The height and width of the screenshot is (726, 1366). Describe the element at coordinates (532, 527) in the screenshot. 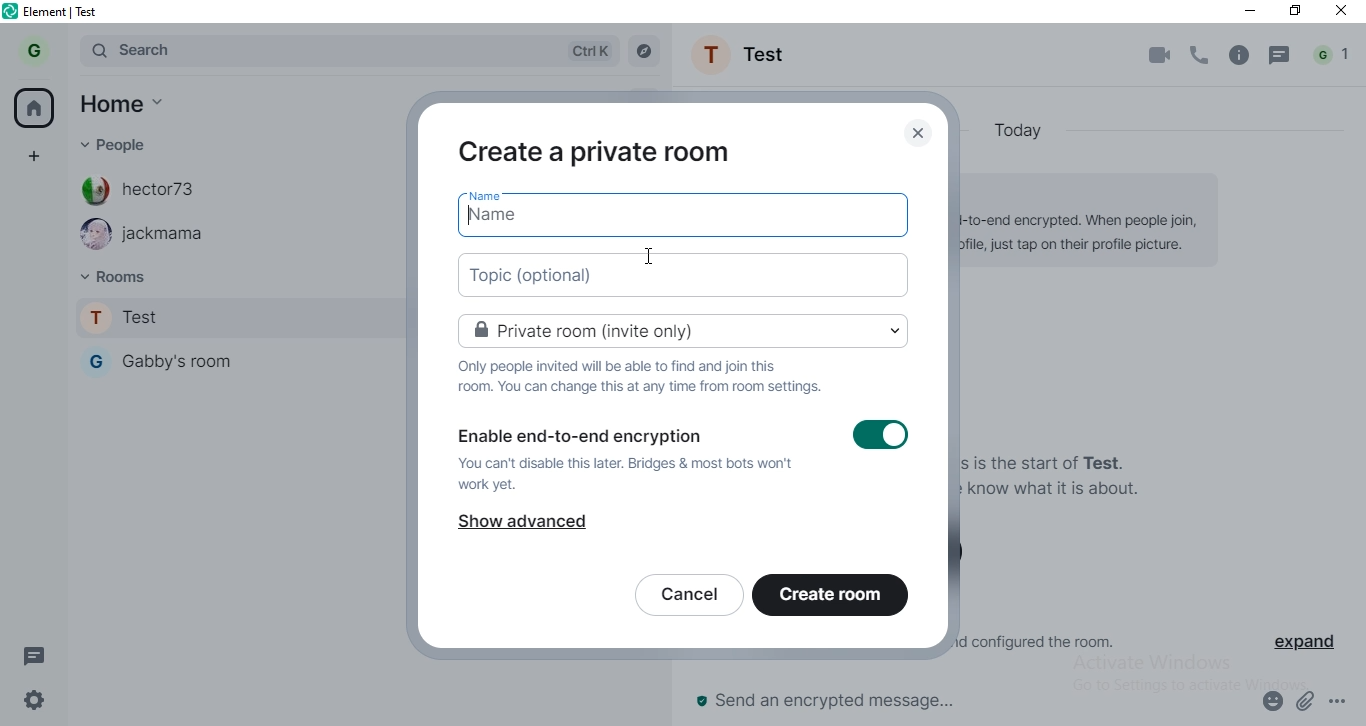

I see `show advanced` at that location.